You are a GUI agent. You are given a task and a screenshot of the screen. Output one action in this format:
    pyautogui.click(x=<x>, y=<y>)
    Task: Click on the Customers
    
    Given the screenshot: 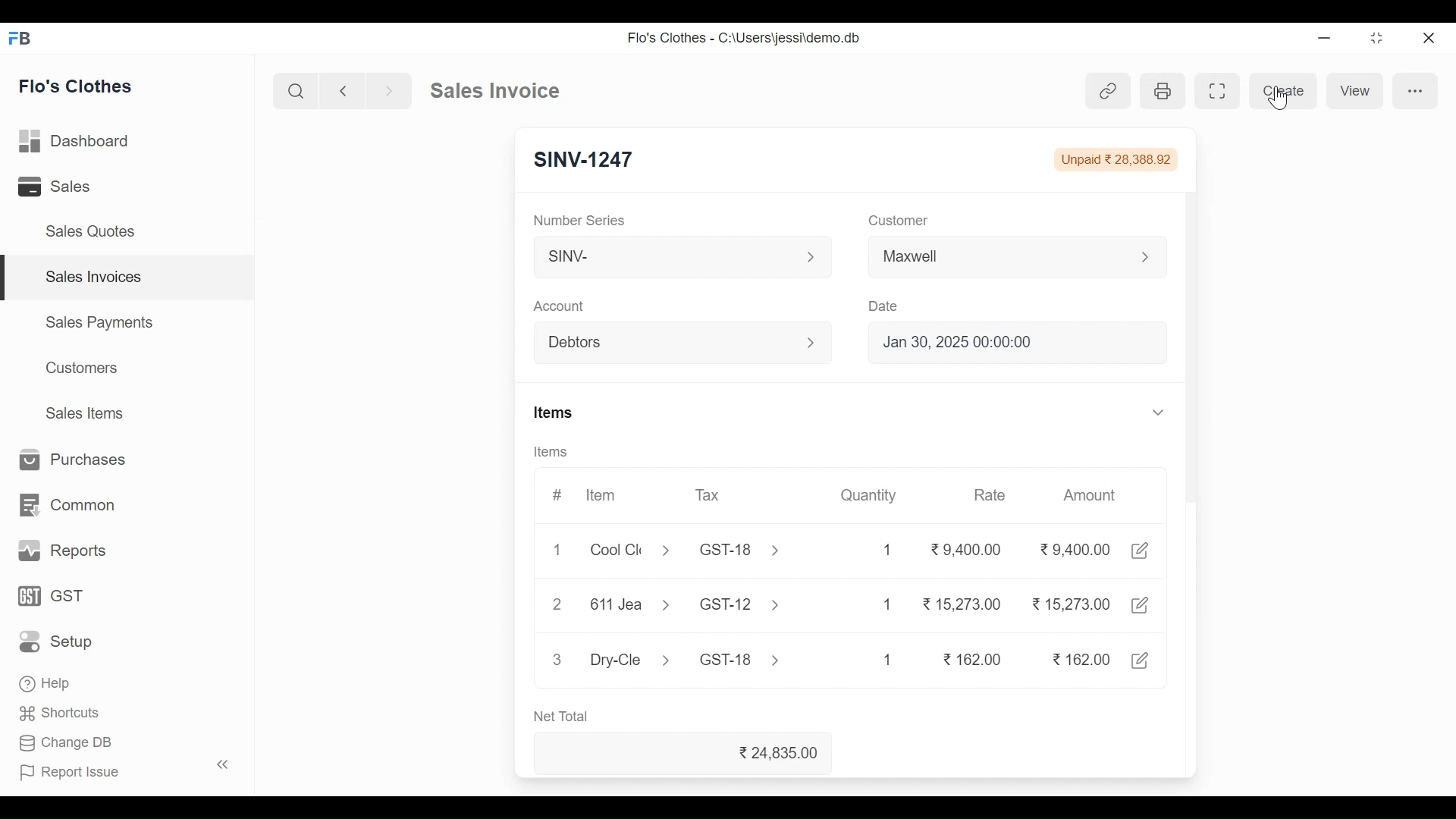 What is the action you would take?
    pyautogui.click(x=84, y=368)
    